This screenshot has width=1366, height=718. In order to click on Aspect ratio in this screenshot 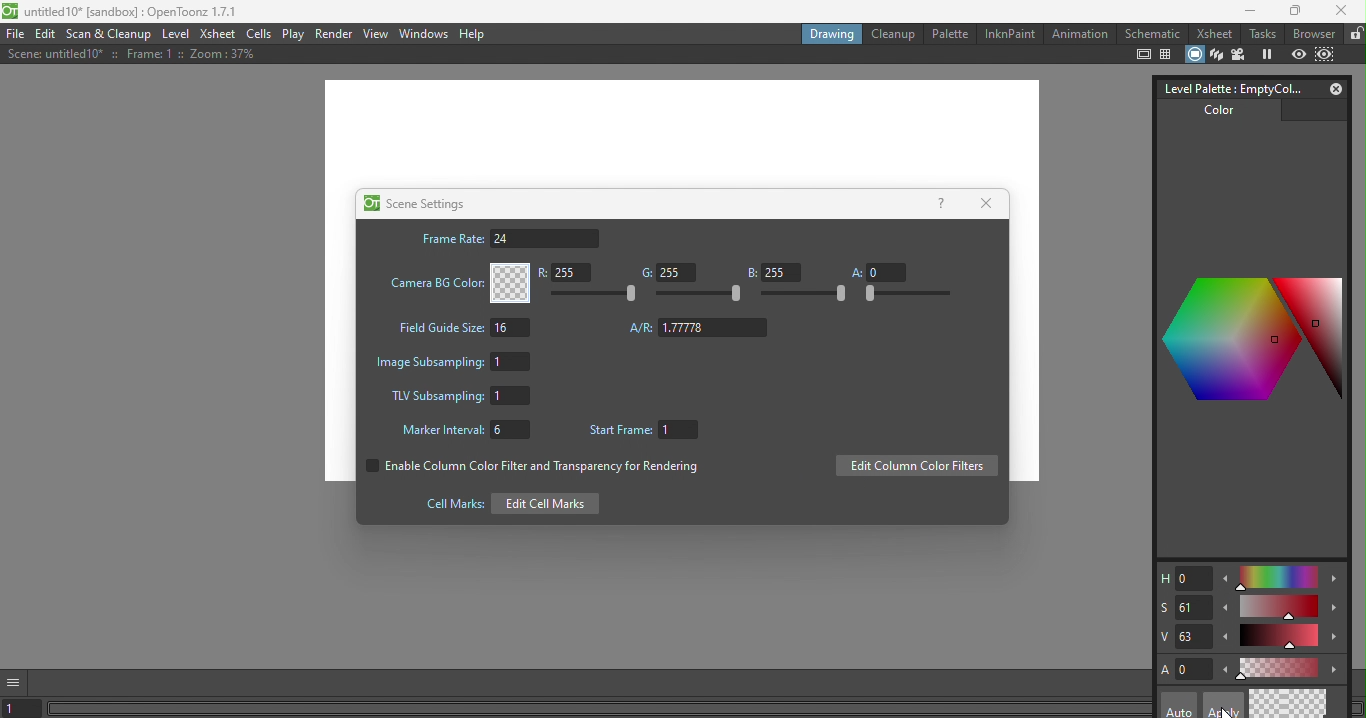, I will do `click(699, 328)`.